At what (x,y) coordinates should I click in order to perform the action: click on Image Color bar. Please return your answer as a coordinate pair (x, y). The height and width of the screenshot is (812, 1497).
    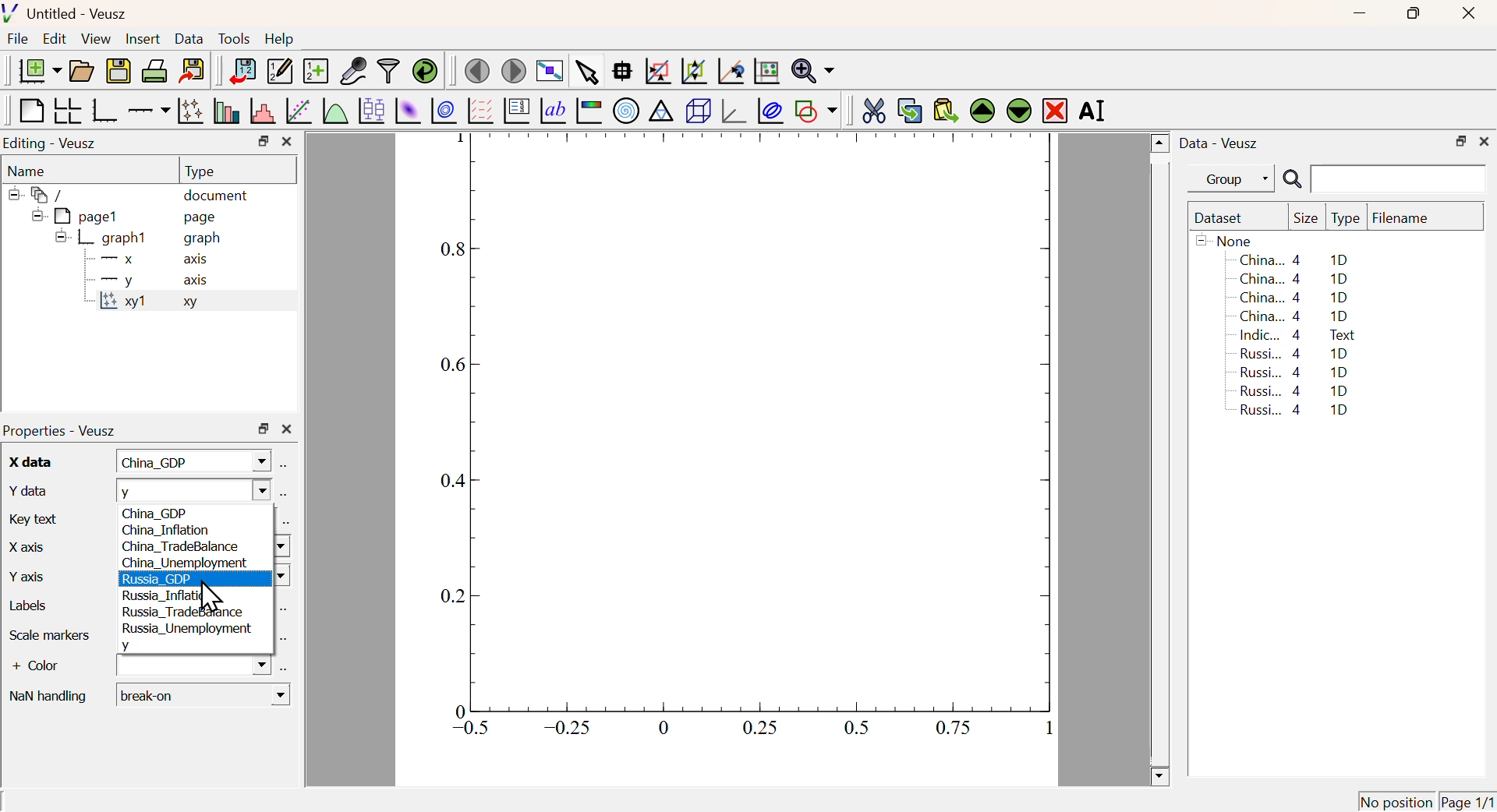
    Looking at the image, I should click on (589, 111).